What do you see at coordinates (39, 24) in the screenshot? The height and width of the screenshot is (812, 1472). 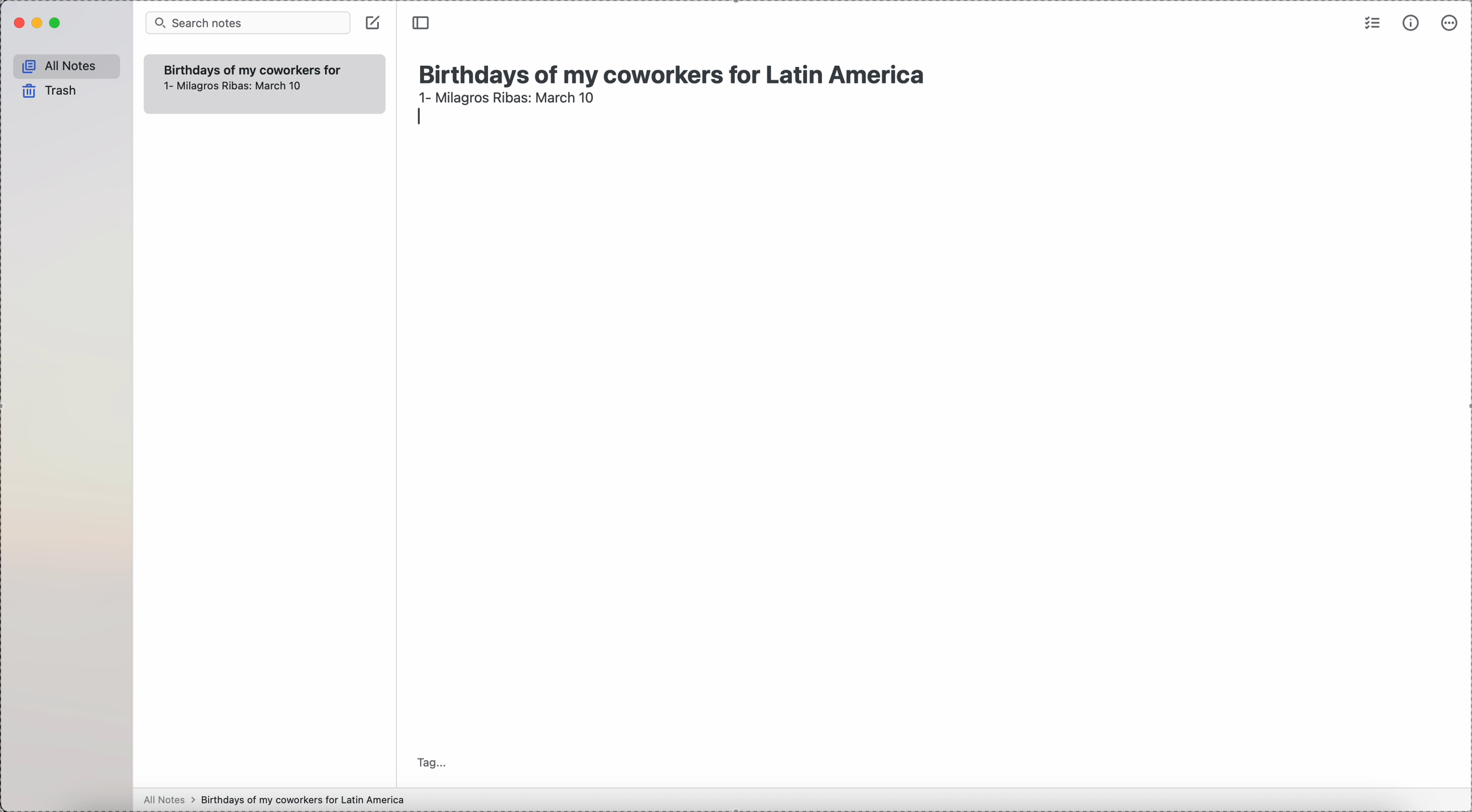 I see `minimize Simplenote` at bounding box center [39, 24].